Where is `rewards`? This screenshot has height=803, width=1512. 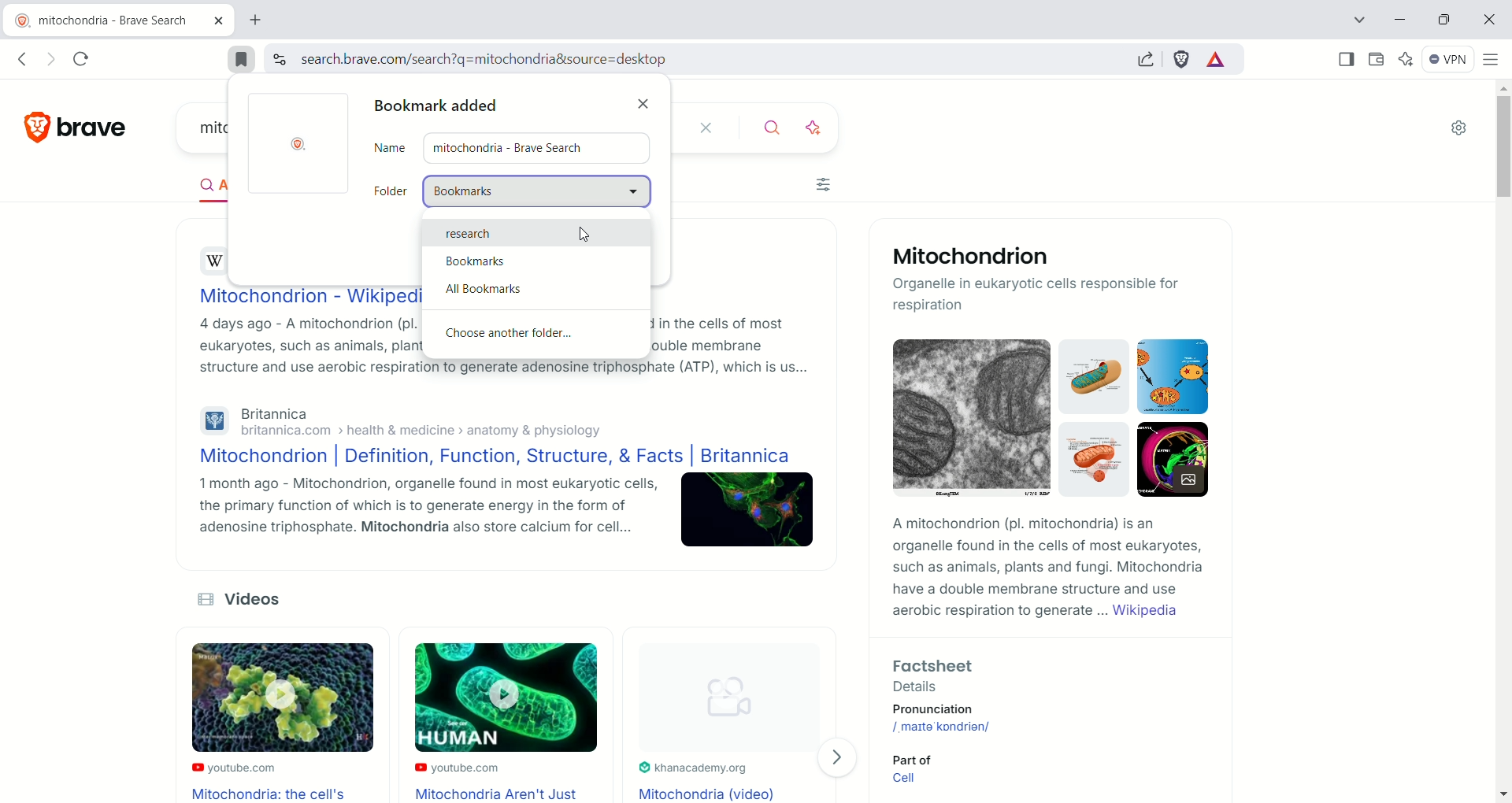 rewards is located at coordinates (1215, 61).